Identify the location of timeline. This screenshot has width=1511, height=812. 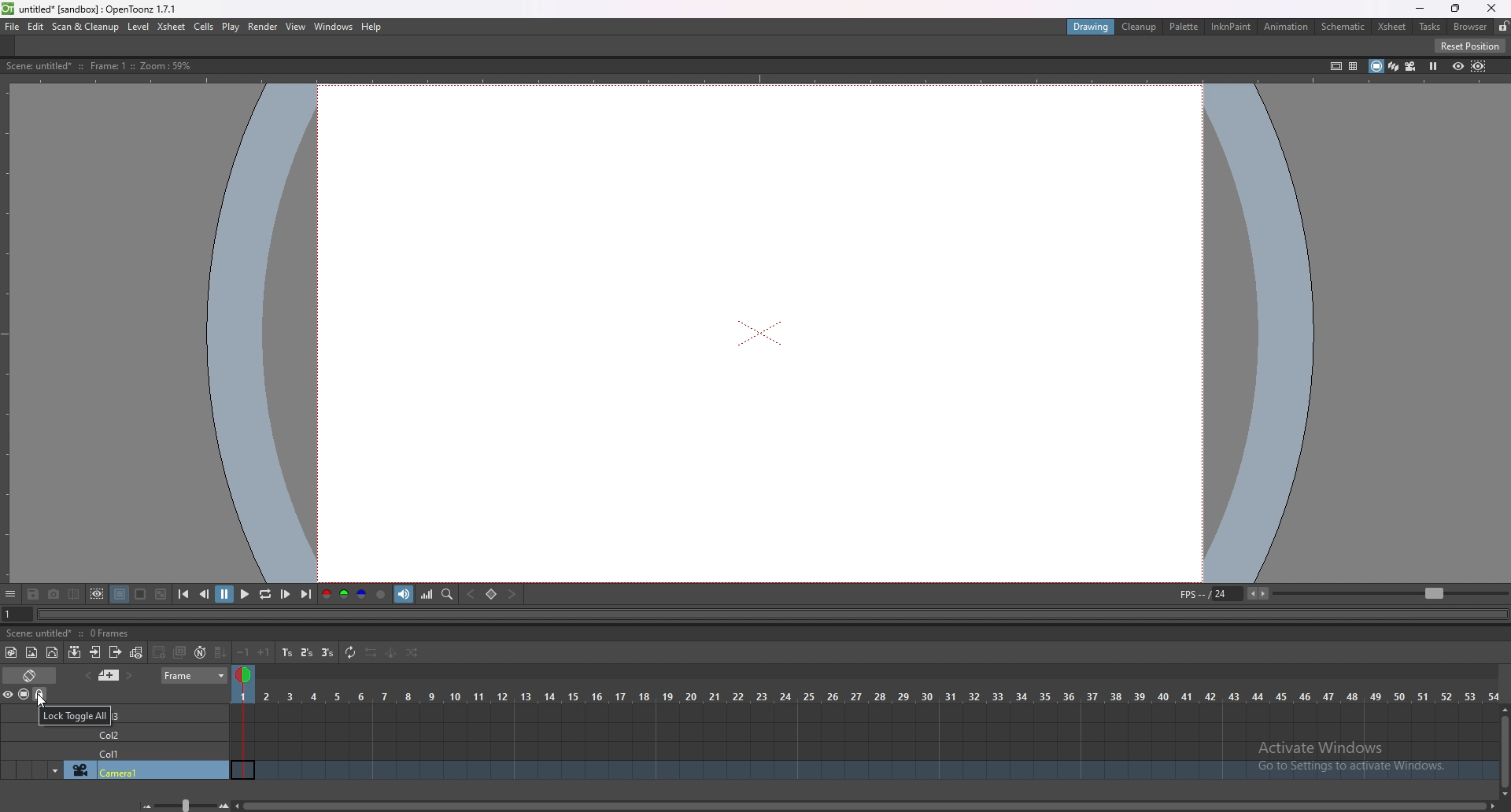
(865, 751).